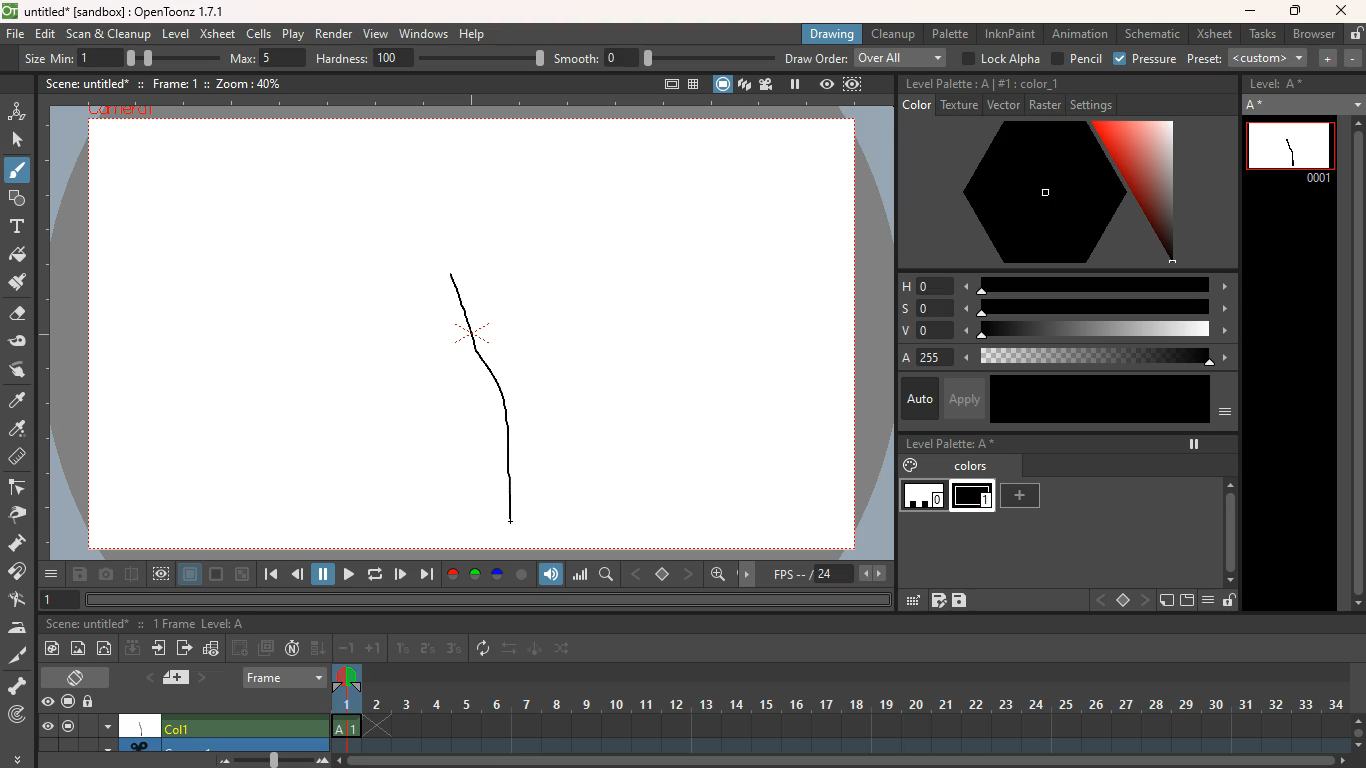 The image size is (1366, 768). Describe the element at coordinates (608, 575) in the screenshot. I see `find` at that location.